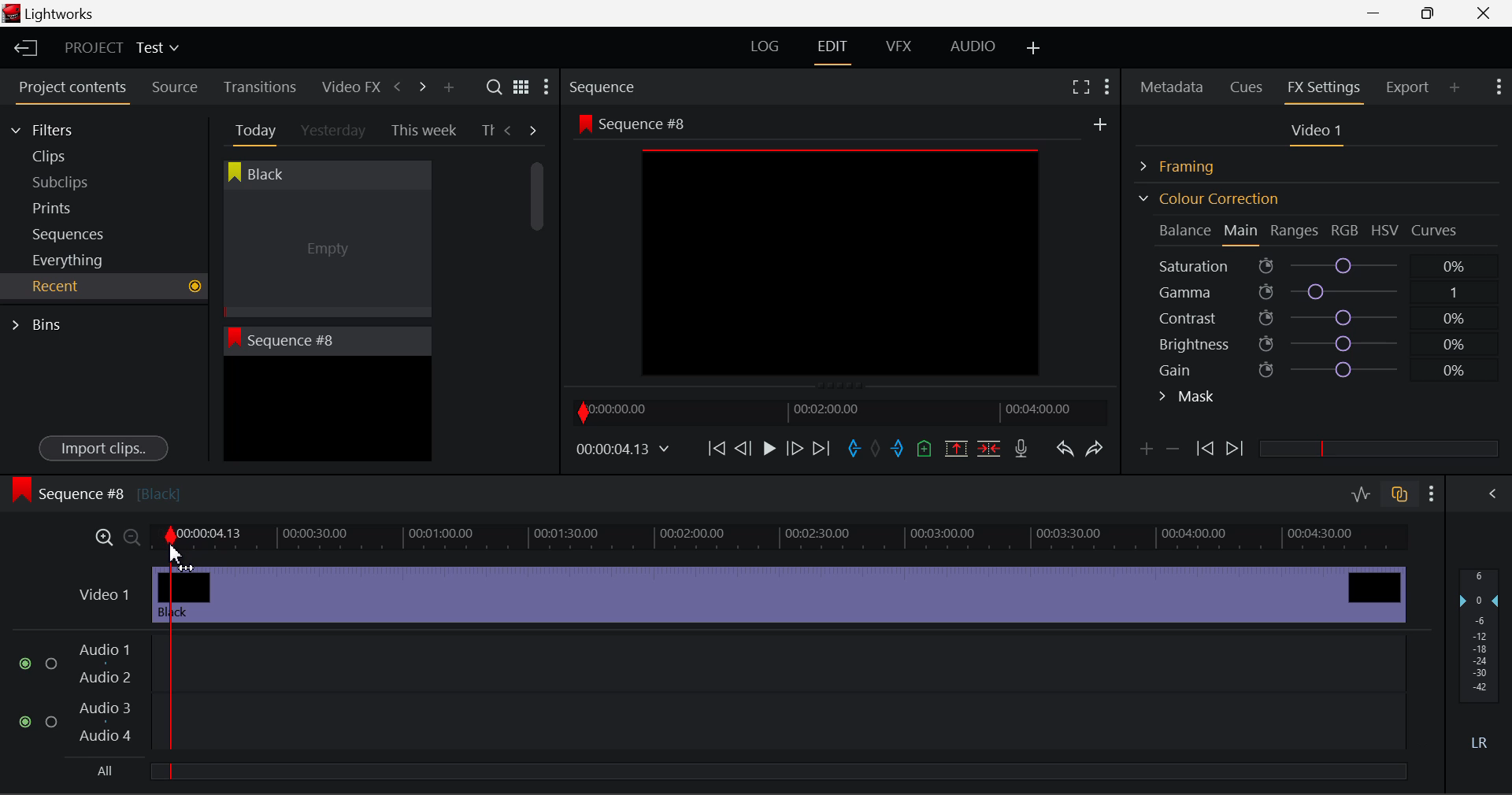  What do you see at coordinates (1494, 492) in the screenshot?
I see `Show Audio Mix` at bounding box center [1494, 492].